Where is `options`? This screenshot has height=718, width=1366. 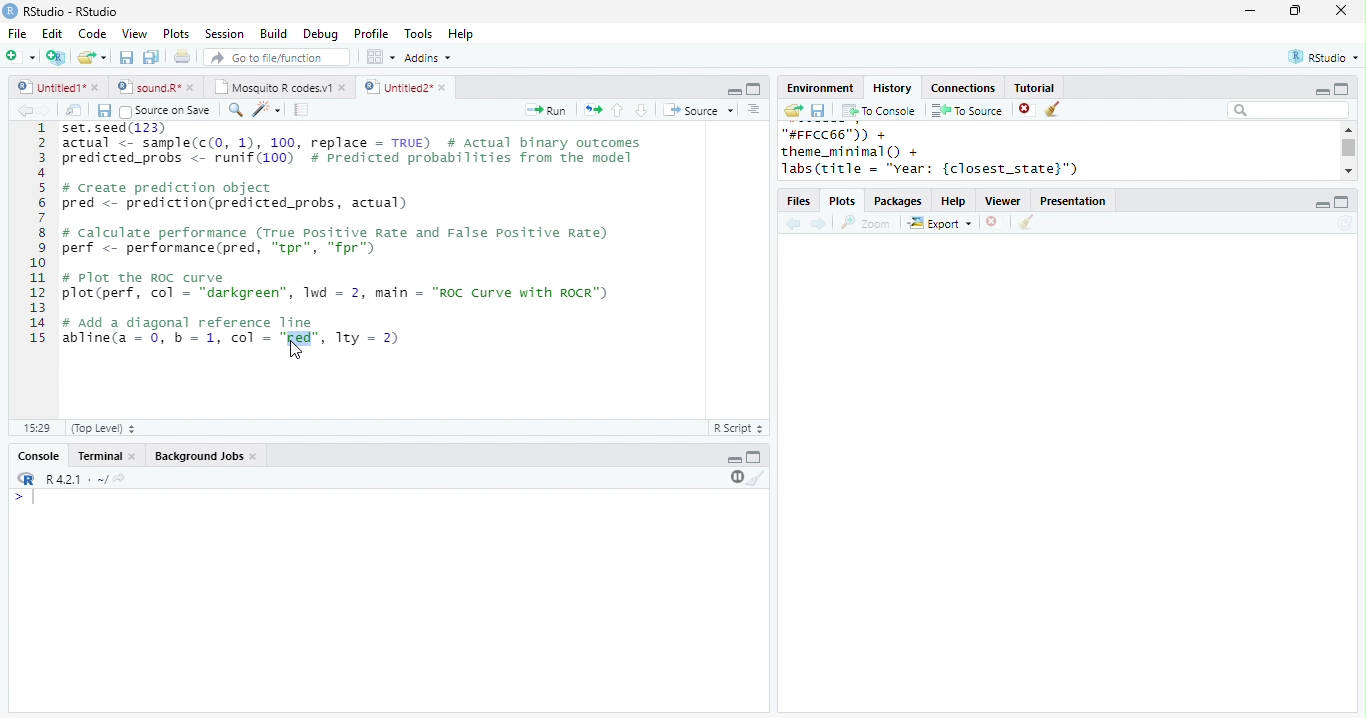
options is located at coordinates (754, 109).